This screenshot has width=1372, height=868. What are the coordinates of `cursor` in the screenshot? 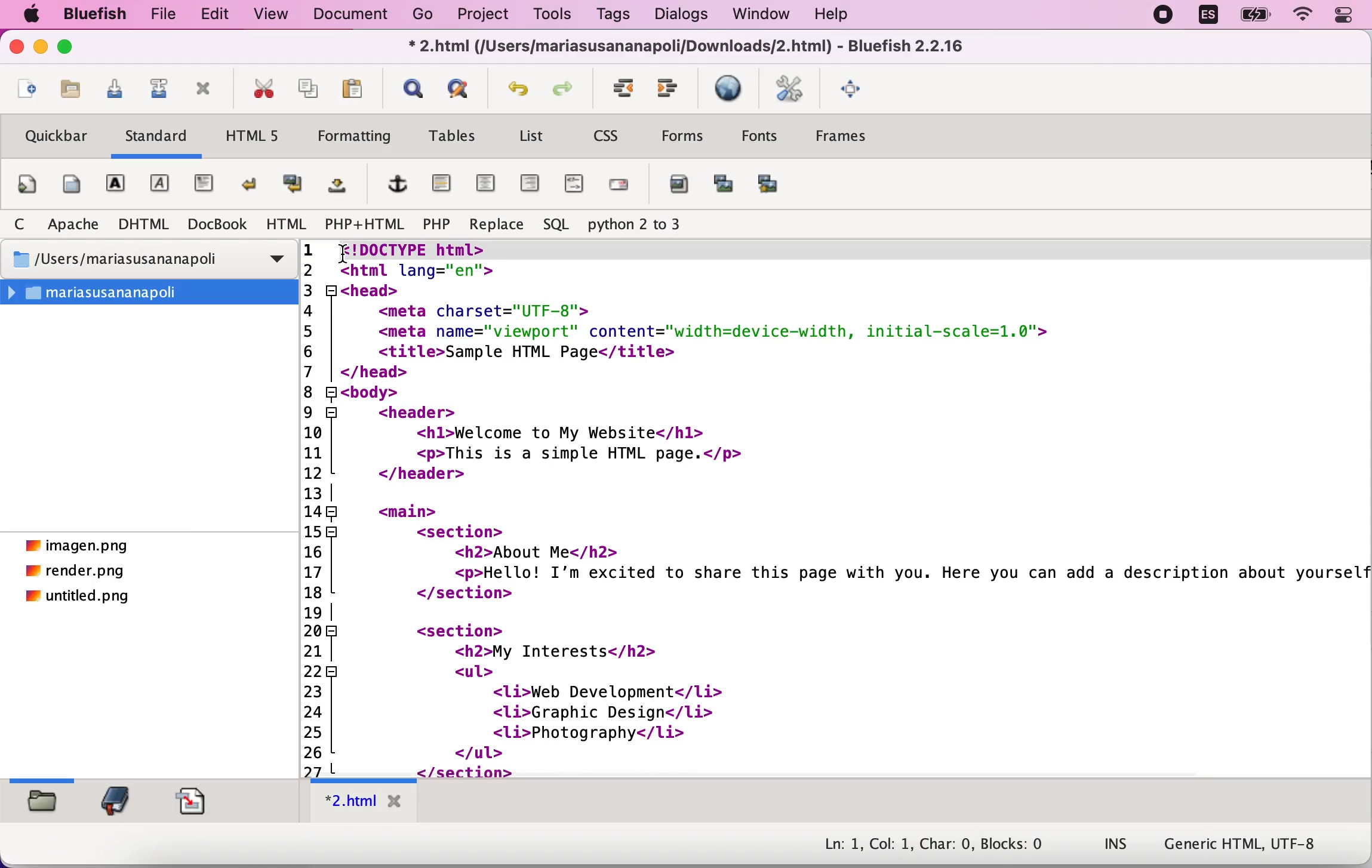 It's located at (346, 251).